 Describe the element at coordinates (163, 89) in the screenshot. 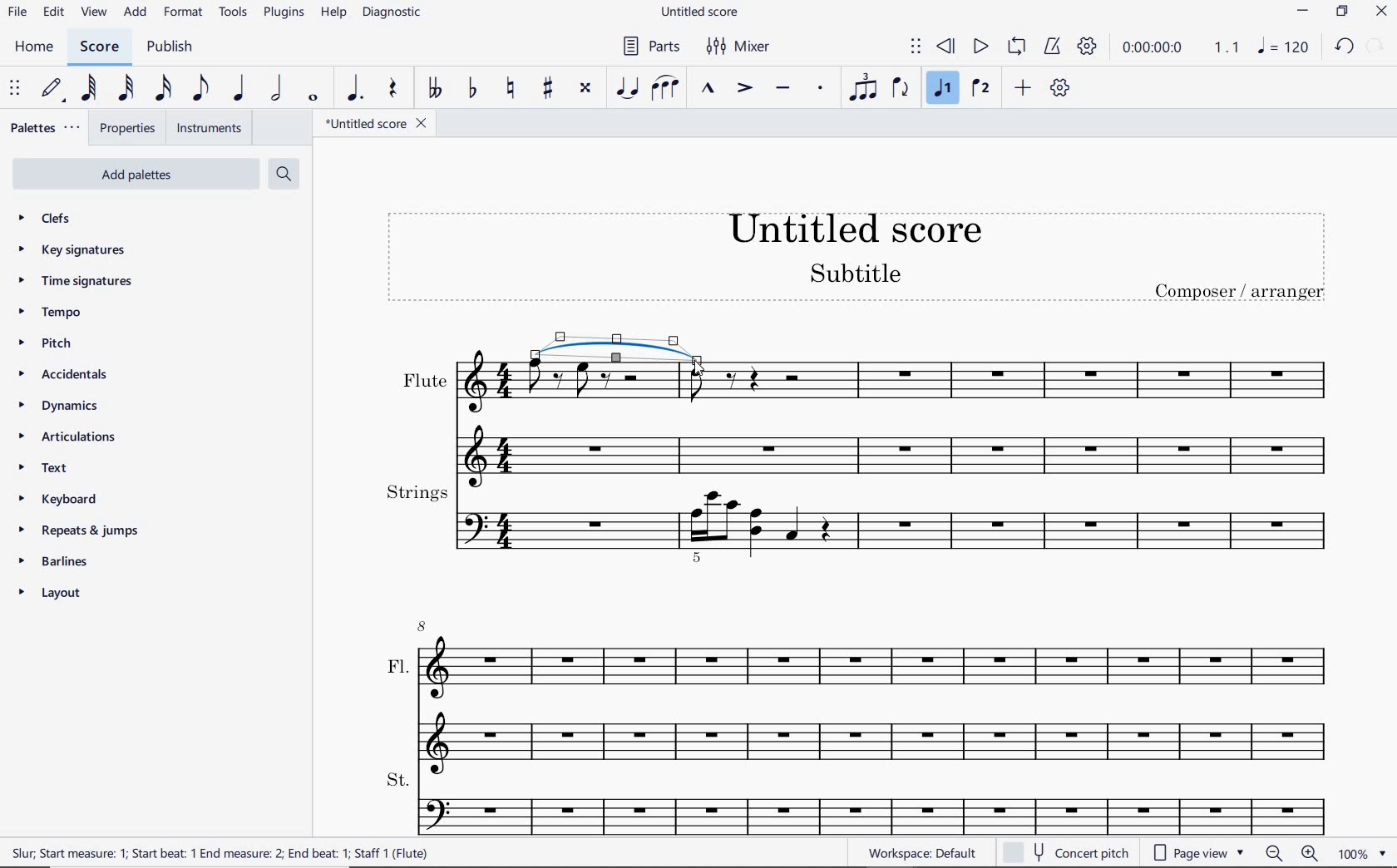

I see `16TH NOTE` at that location.